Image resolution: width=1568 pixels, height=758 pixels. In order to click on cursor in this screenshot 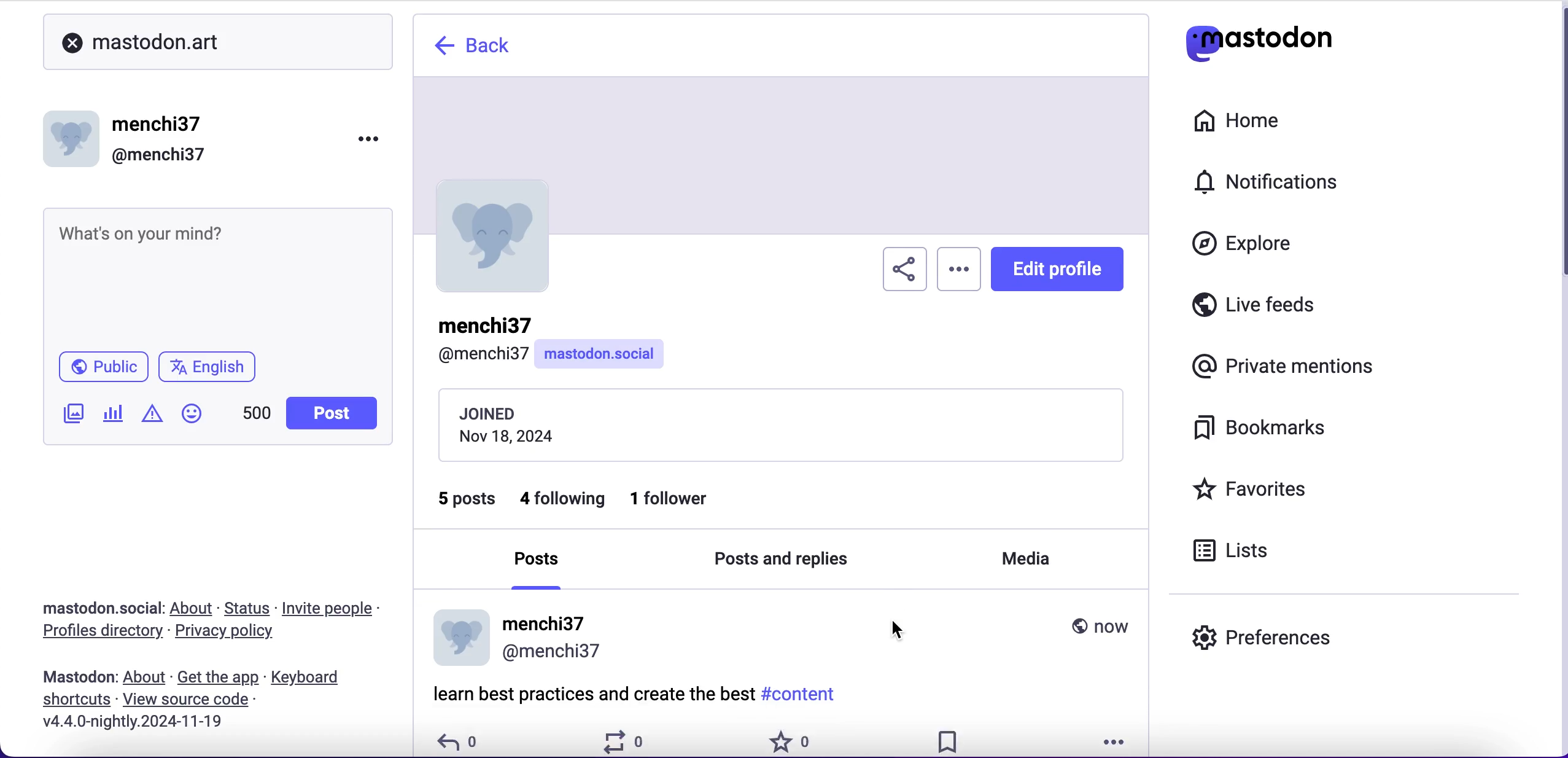, I will do `click(897, 628)`.